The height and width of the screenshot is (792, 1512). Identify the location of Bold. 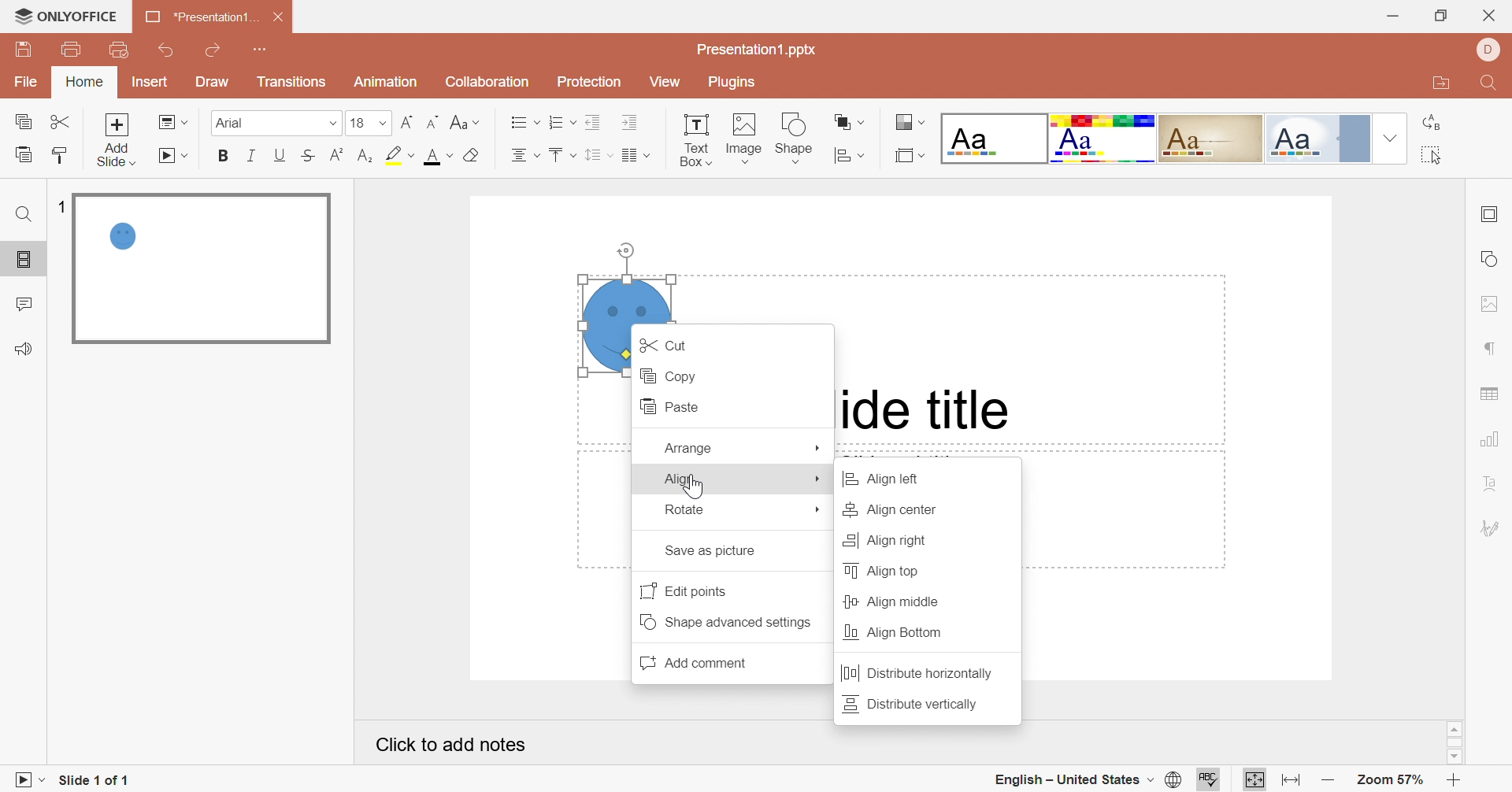
(224, 157).